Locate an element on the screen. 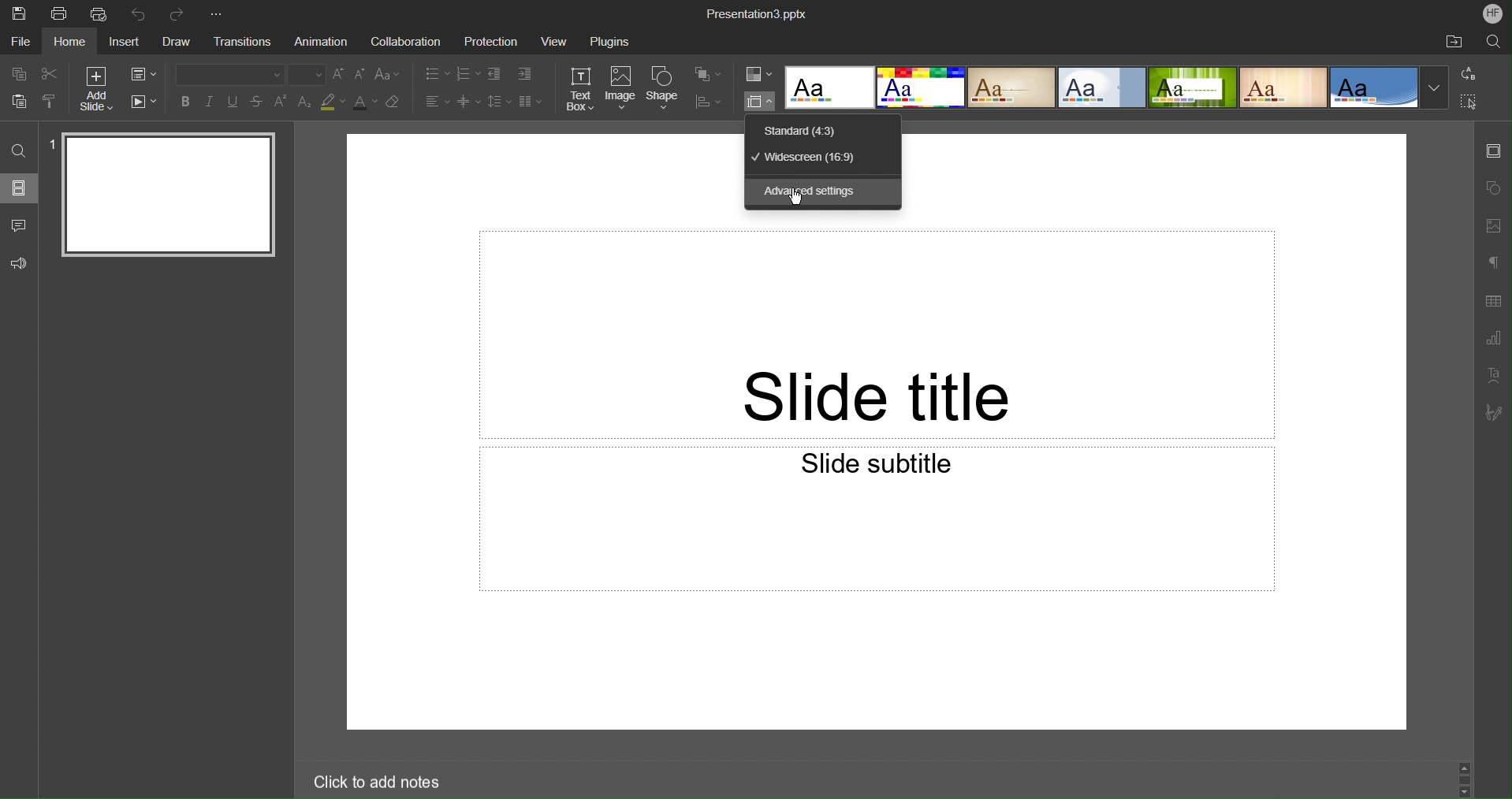 Image resolution: width=1512 pixels, height=799 pixels. Shape is located at coordinates (665, 88).